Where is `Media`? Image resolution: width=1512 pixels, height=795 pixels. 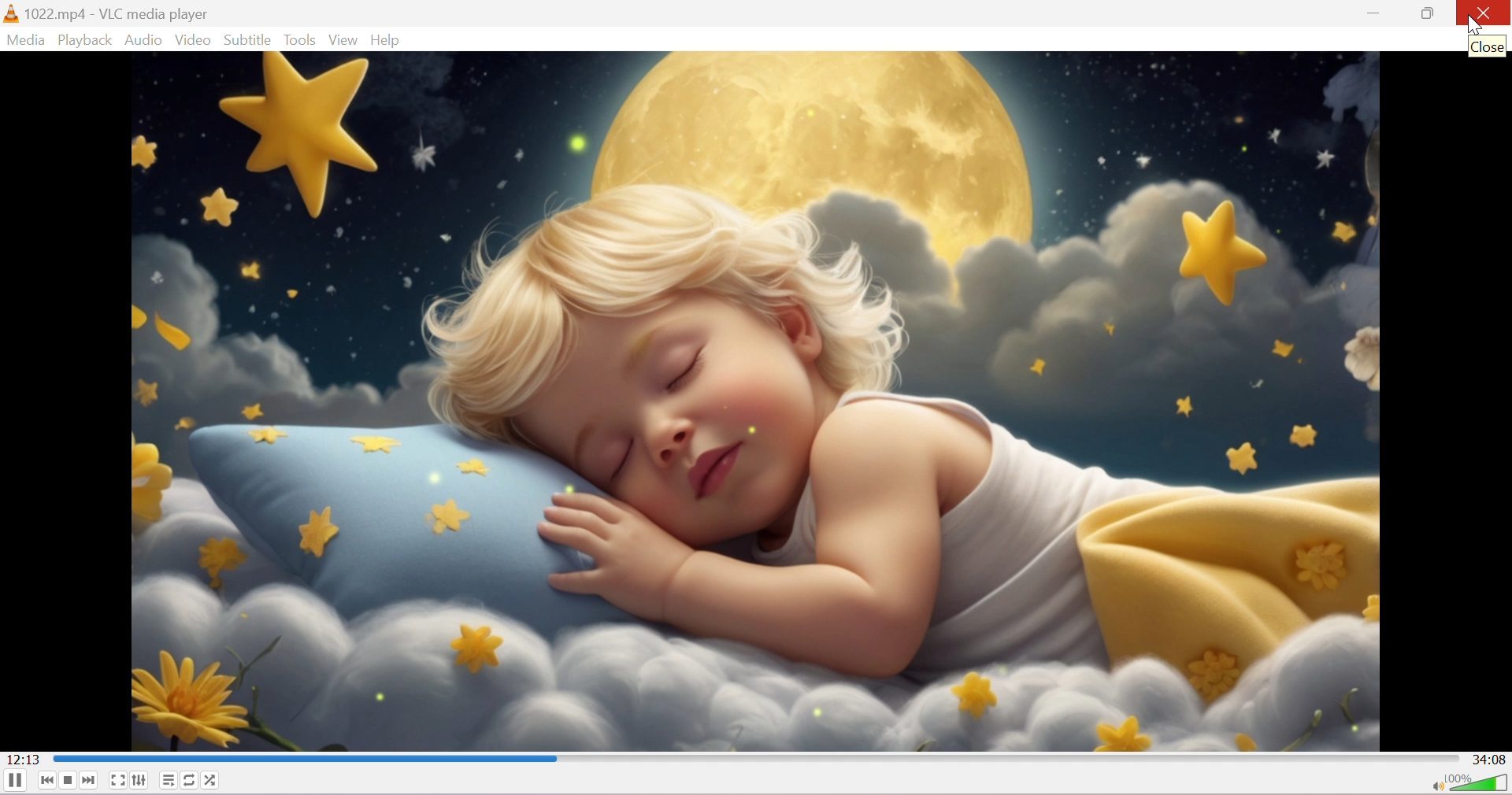 Media is located at coordinates (24, 41).